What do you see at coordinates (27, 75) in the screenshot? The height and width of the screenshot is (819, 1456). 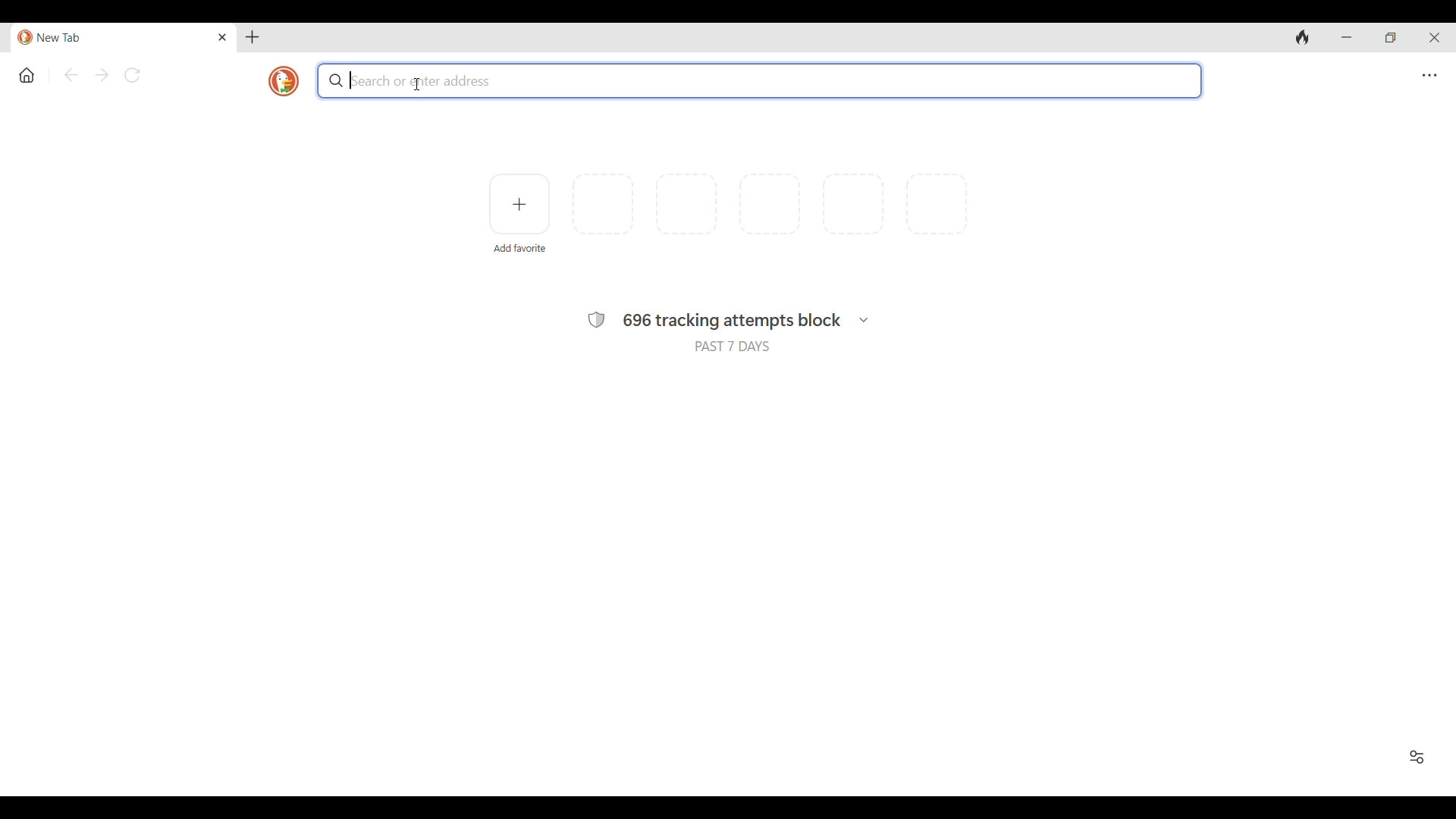 I see `Home` at bounding box center [27, 75].